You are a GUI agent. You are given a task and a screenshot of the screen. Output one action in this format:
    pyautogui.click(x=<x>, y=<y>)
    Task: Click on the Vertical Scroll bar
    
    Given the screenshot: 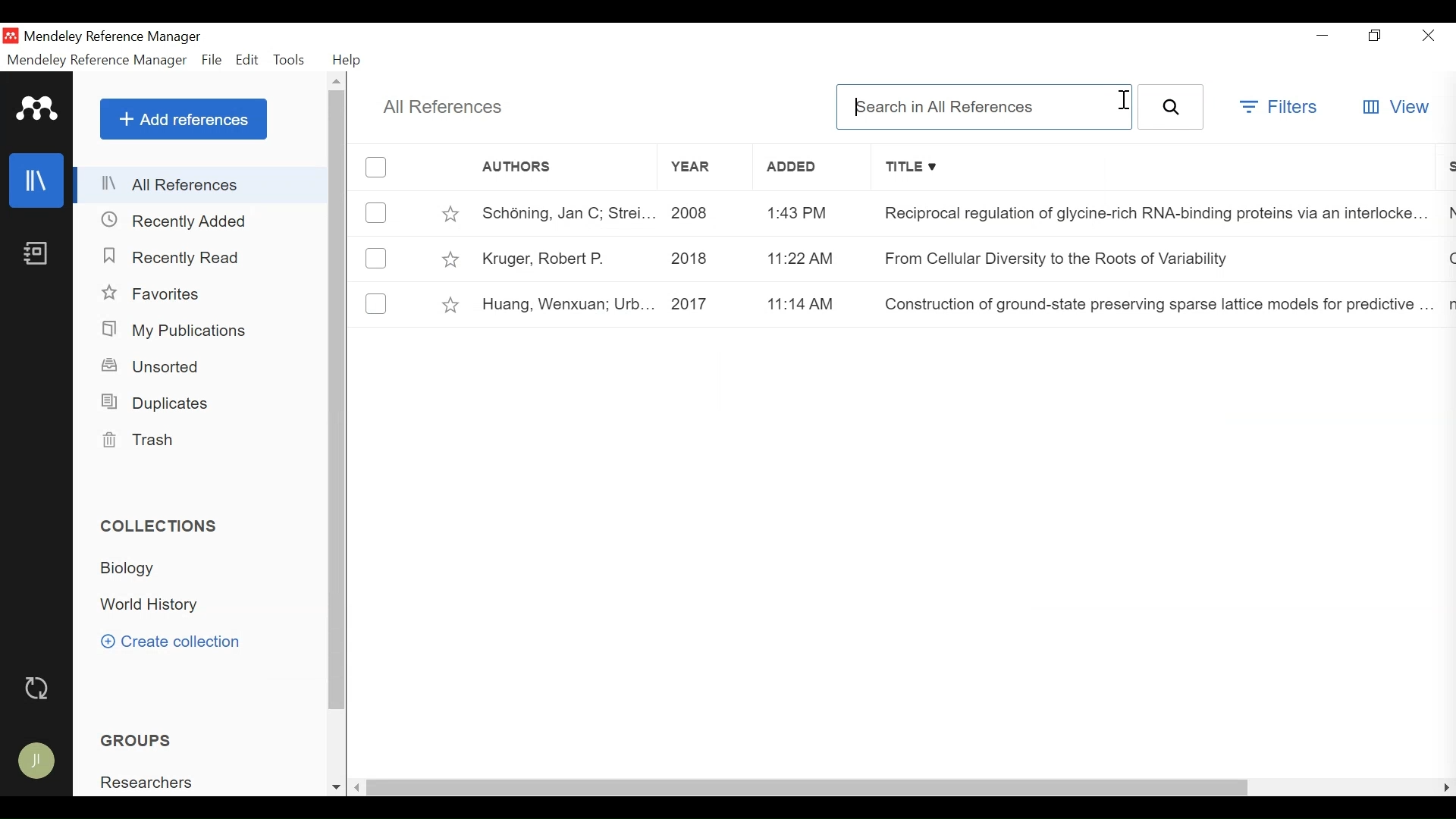 What is the action you would take?
    pyautogui.click(x=338, y=400)
    